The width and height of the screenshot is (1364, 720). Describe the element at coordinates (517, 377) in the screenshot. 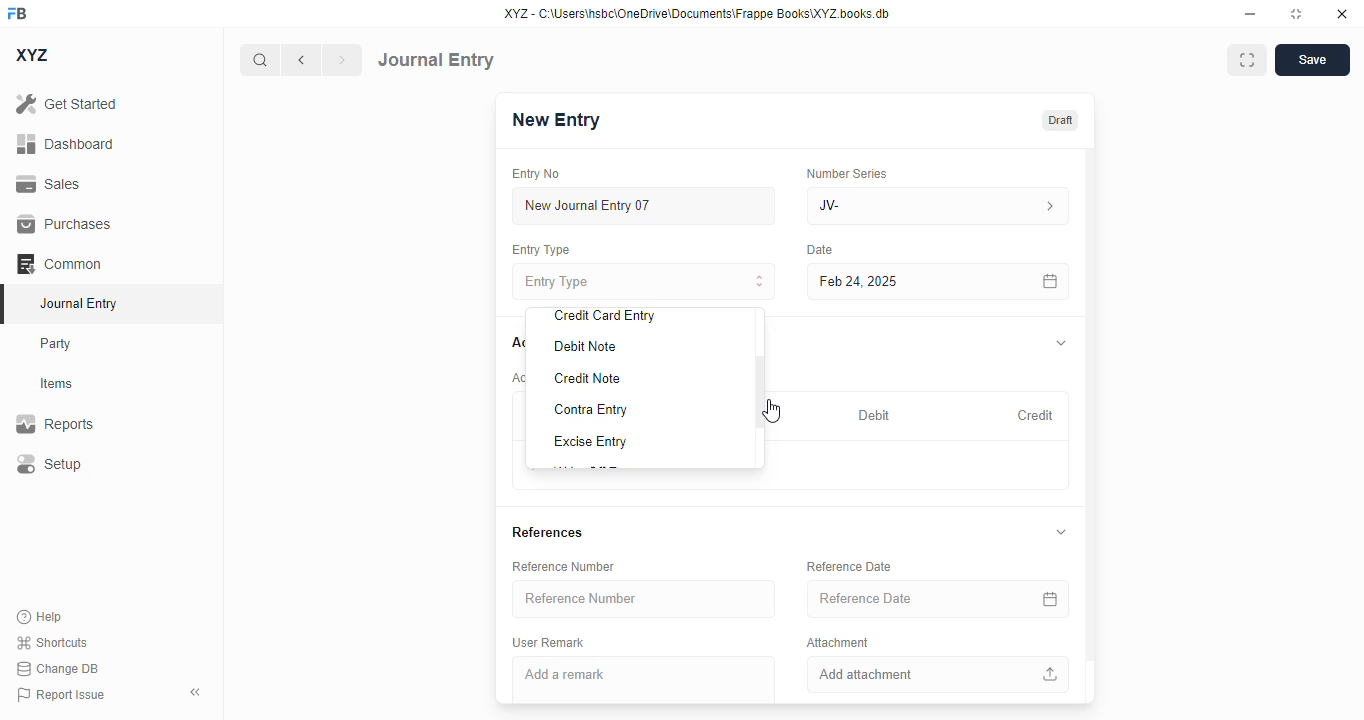

I see `account entries` at that location.